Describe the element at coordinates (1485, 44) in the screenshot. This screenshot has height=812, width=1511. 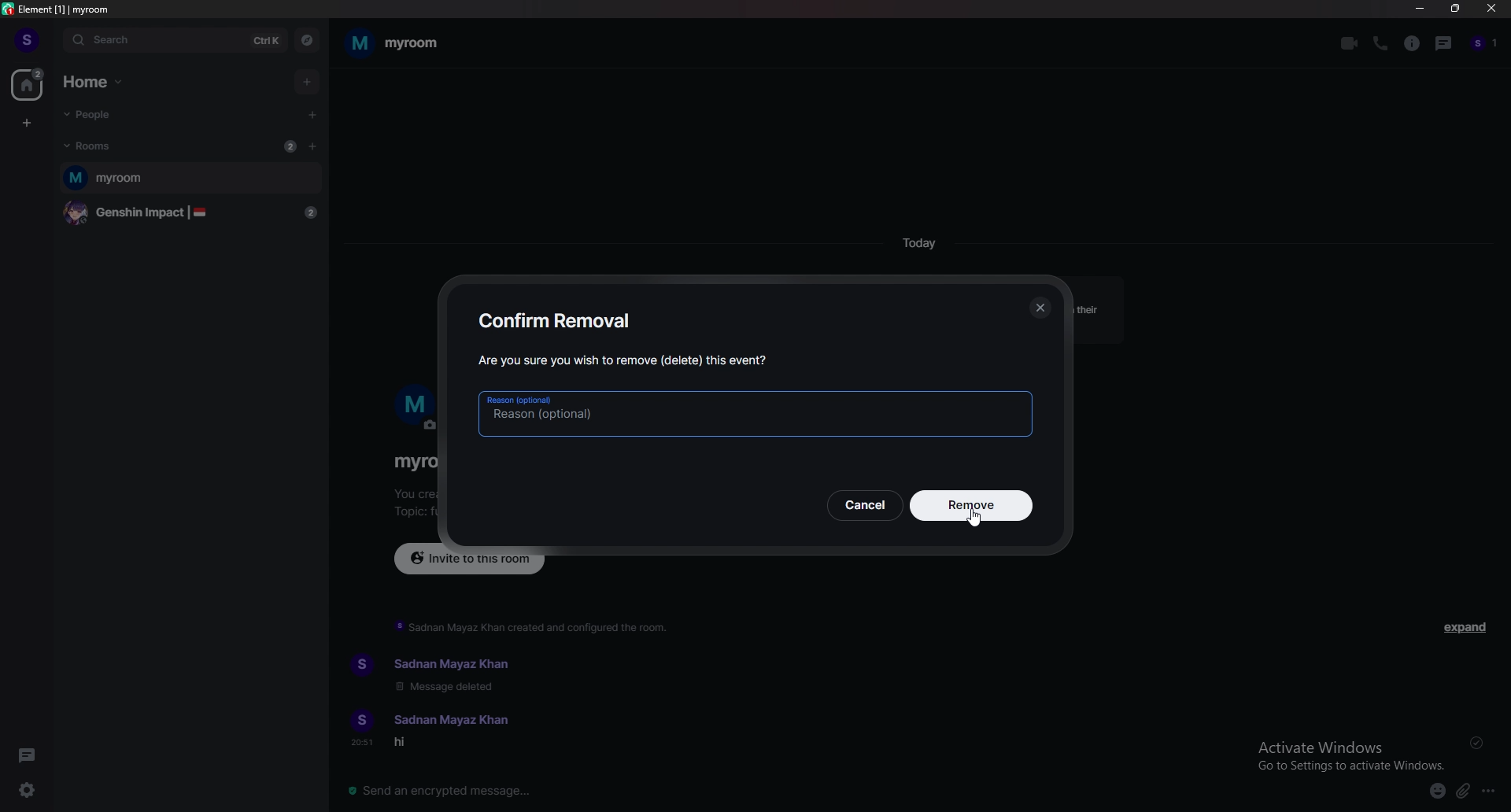
I see `people` at that location.